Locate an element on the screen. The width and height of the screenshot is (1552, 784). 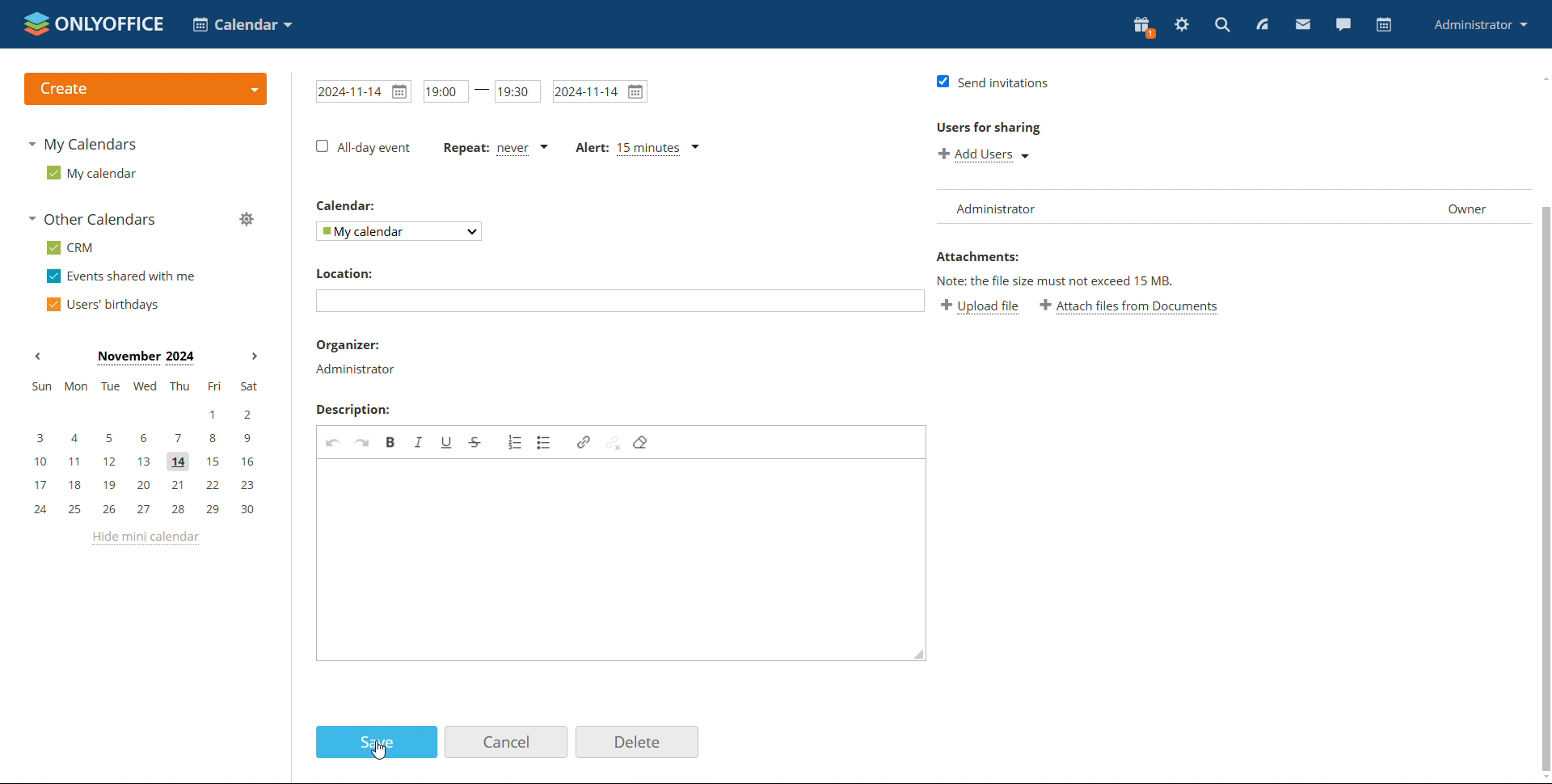
Attachments is located at coordinates (985, 256).